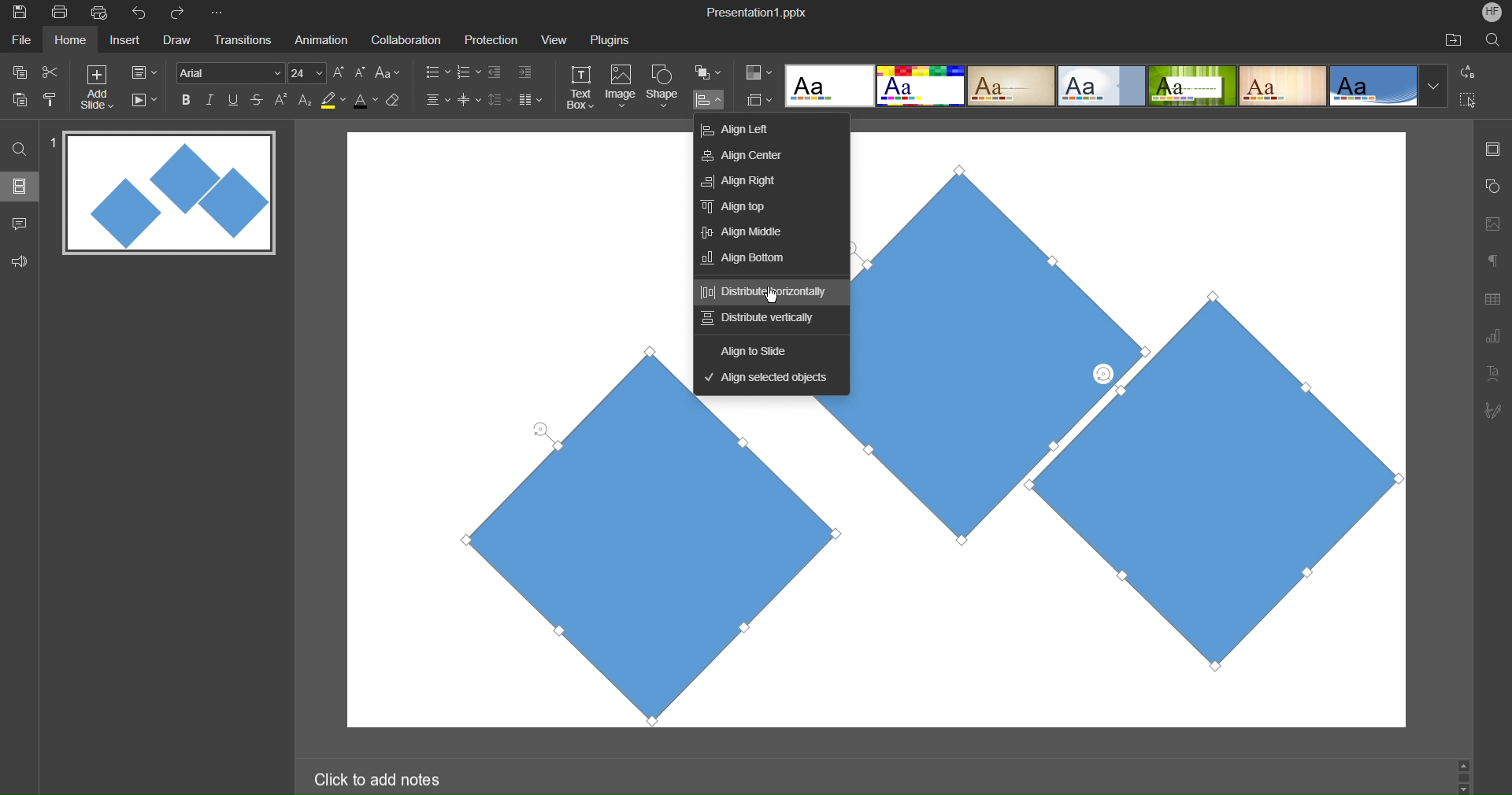  I want to click on align middle, so click(762, 230).